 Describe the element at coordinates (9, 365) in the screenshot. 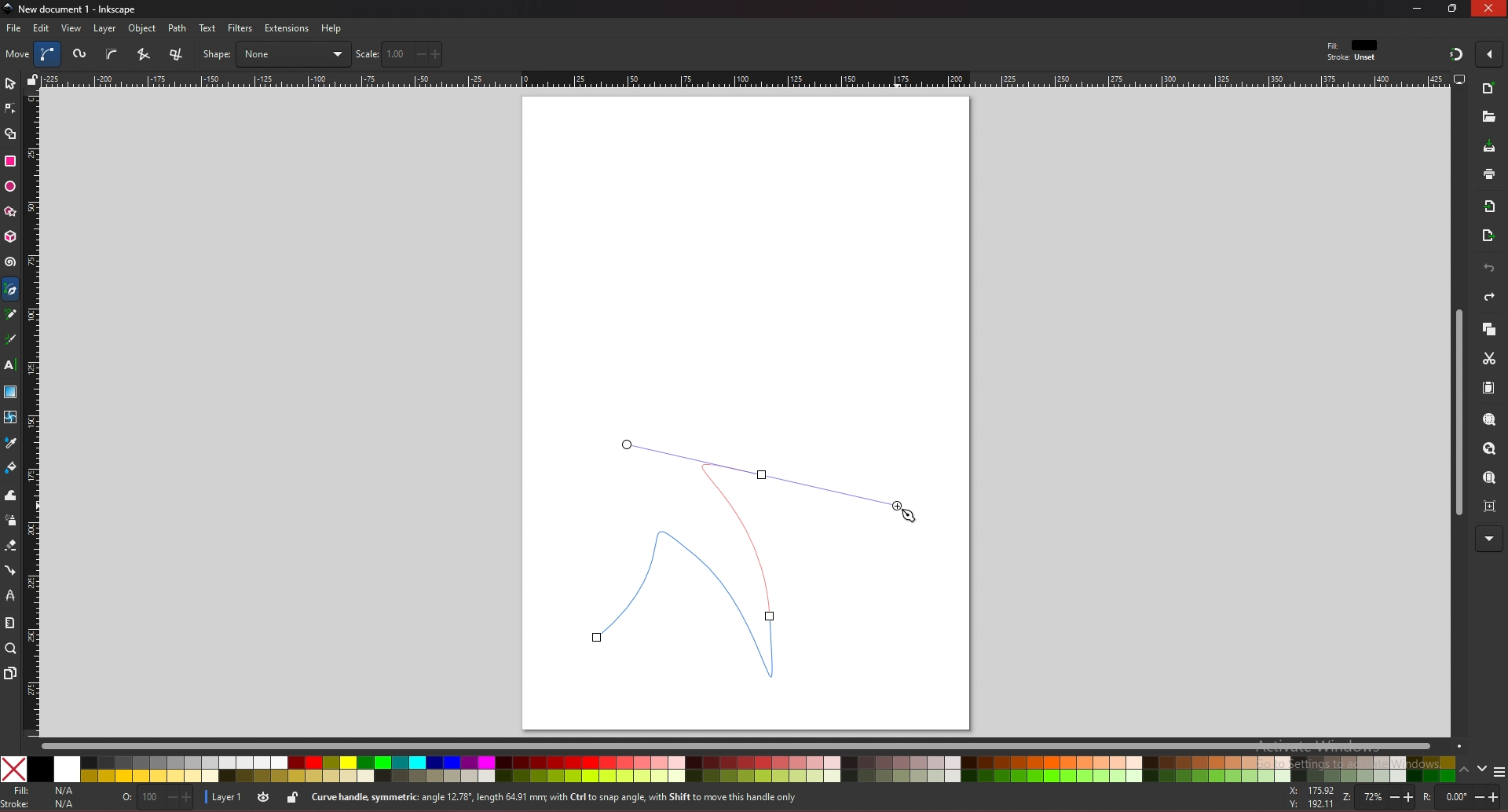

I see `text` at that location.